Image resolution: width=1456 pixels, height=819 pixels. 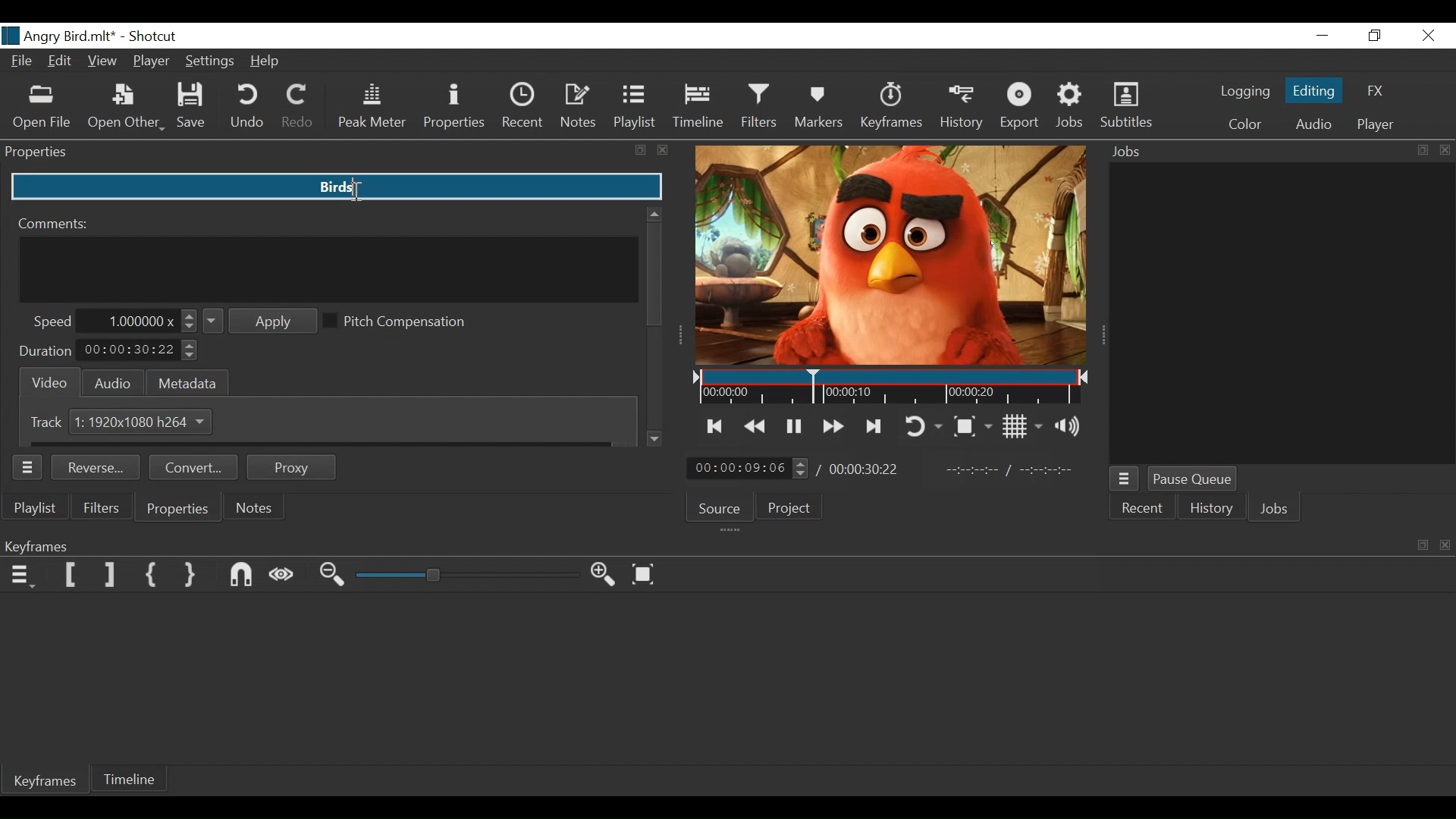 I want to click on Notes, so click(x=256, y=507).